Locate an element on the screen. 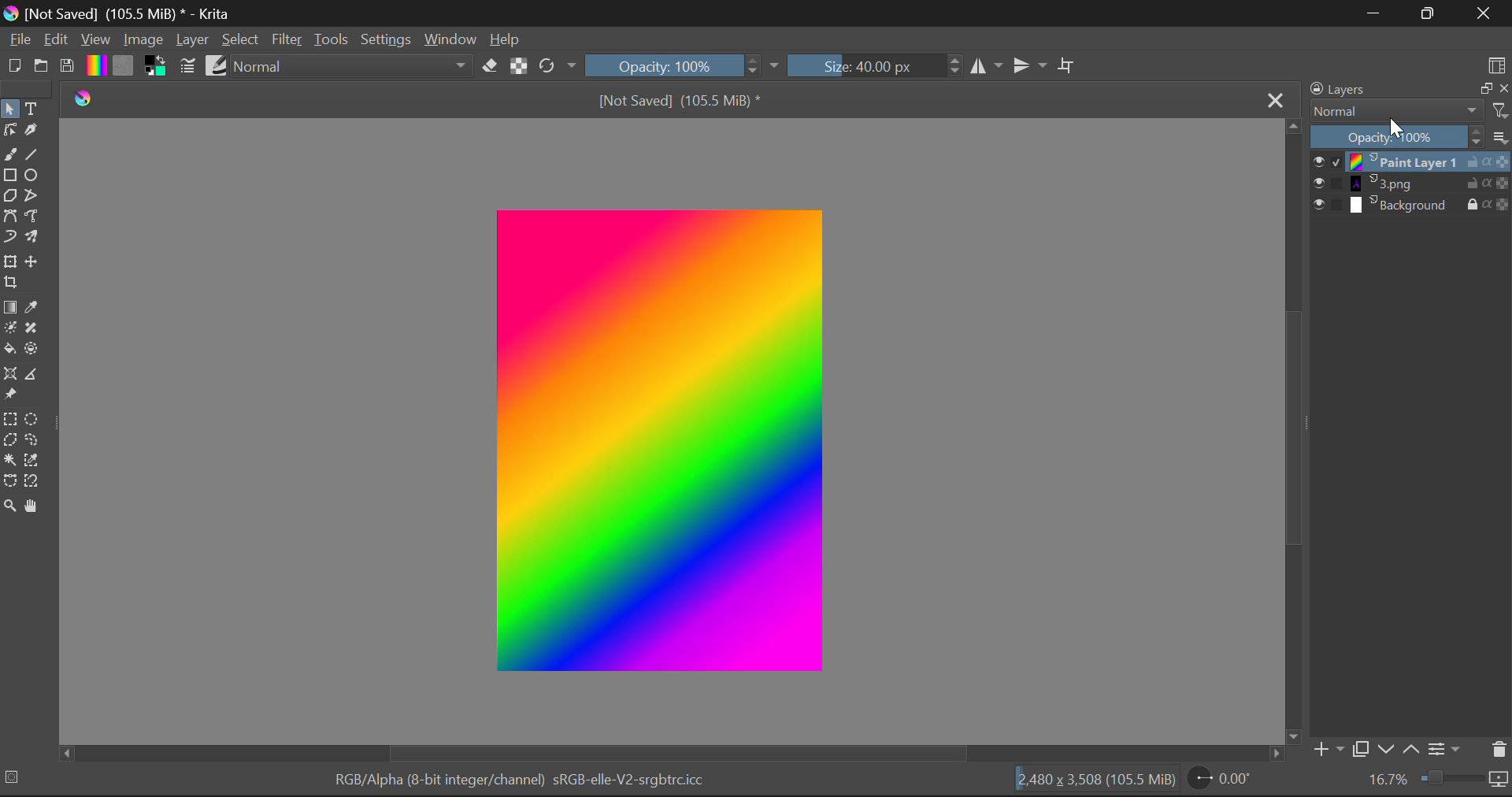 The image size is (1512, 797). Increase or decrease size is located at coordinates (952, 68).